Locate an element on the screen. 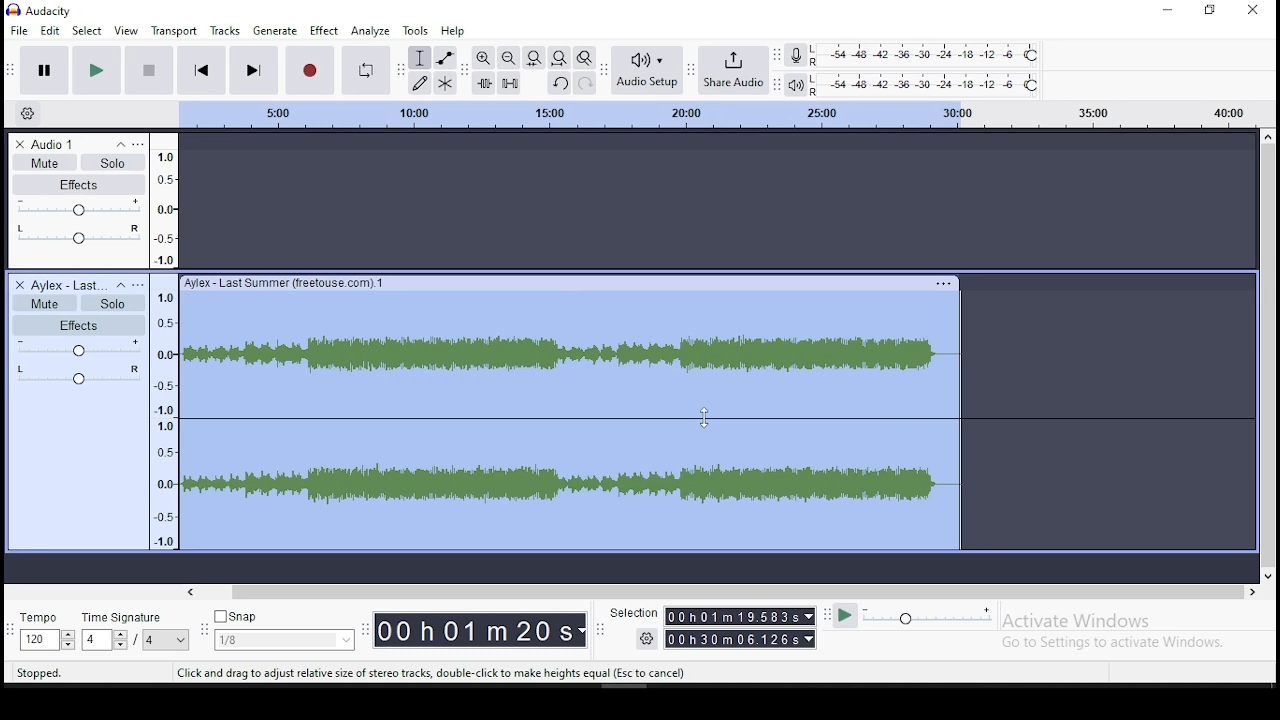  record meter is located at coordinates (795, 56).